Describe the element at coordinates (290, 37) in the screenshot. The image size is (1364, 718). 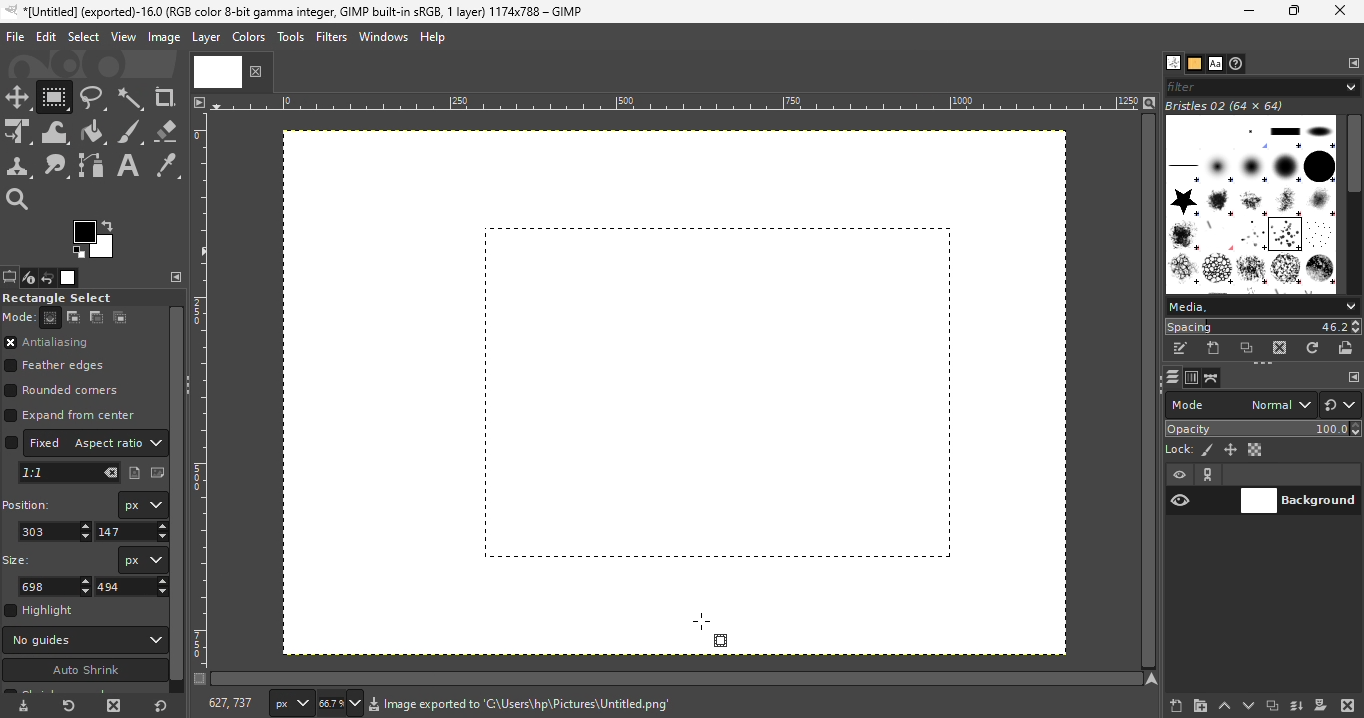
I see `Tools` at that location.